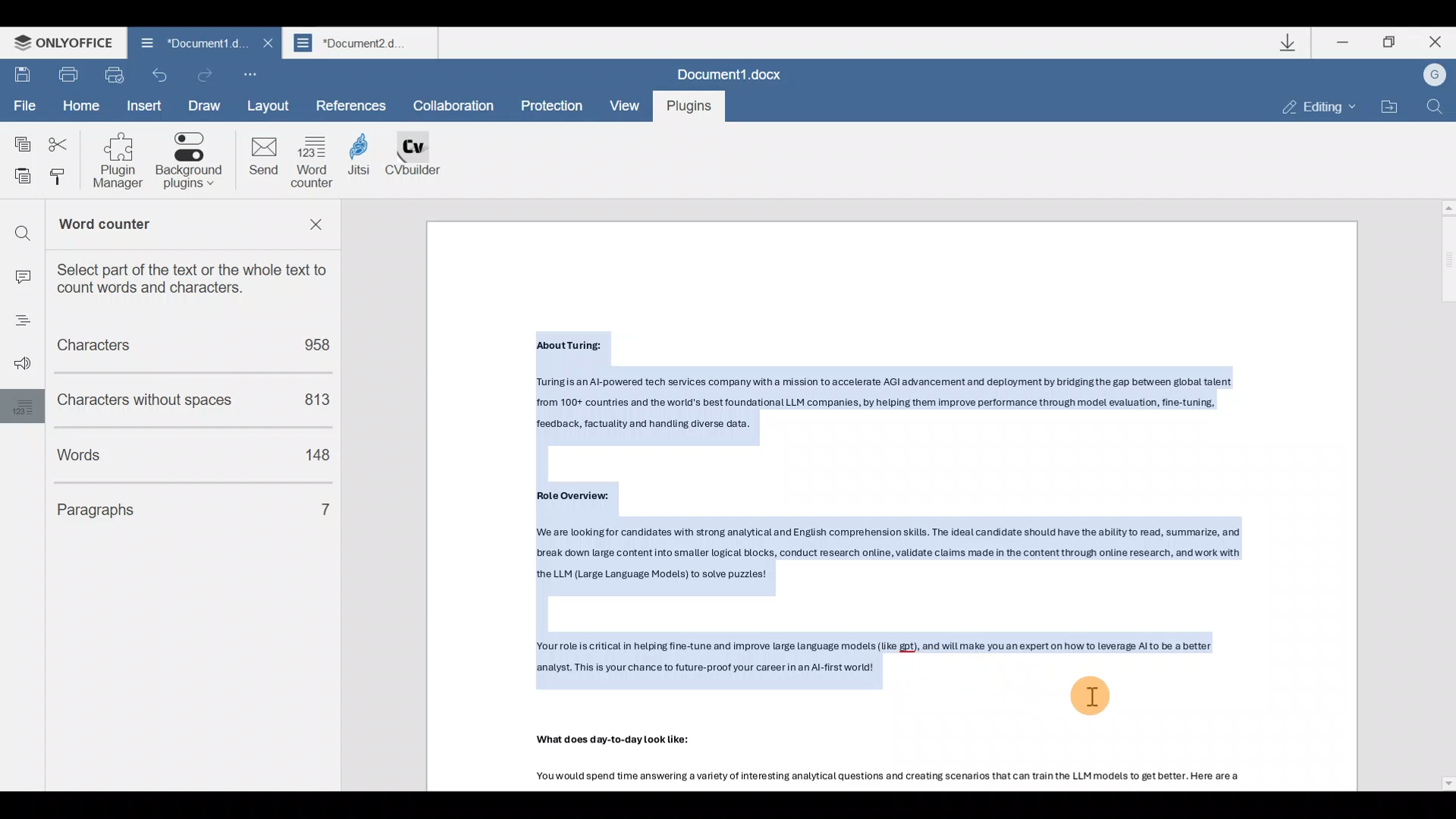  What do you see at coordinates (731, 73) in the screenshot?
I see `Document.docx` at bounding box center [731, 73].